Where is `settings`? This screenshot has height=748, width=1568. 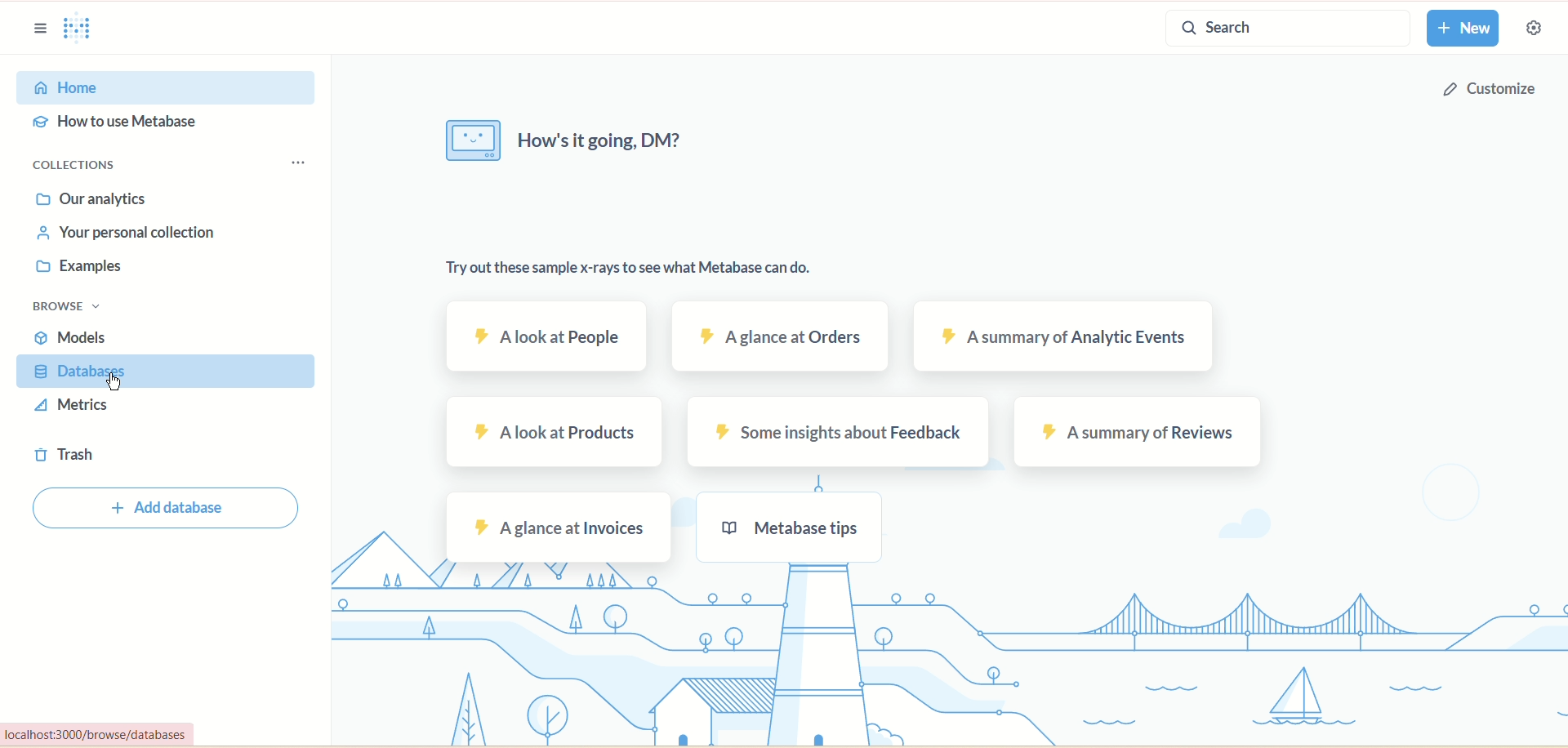
settings is located at coordinates (1542, 30).